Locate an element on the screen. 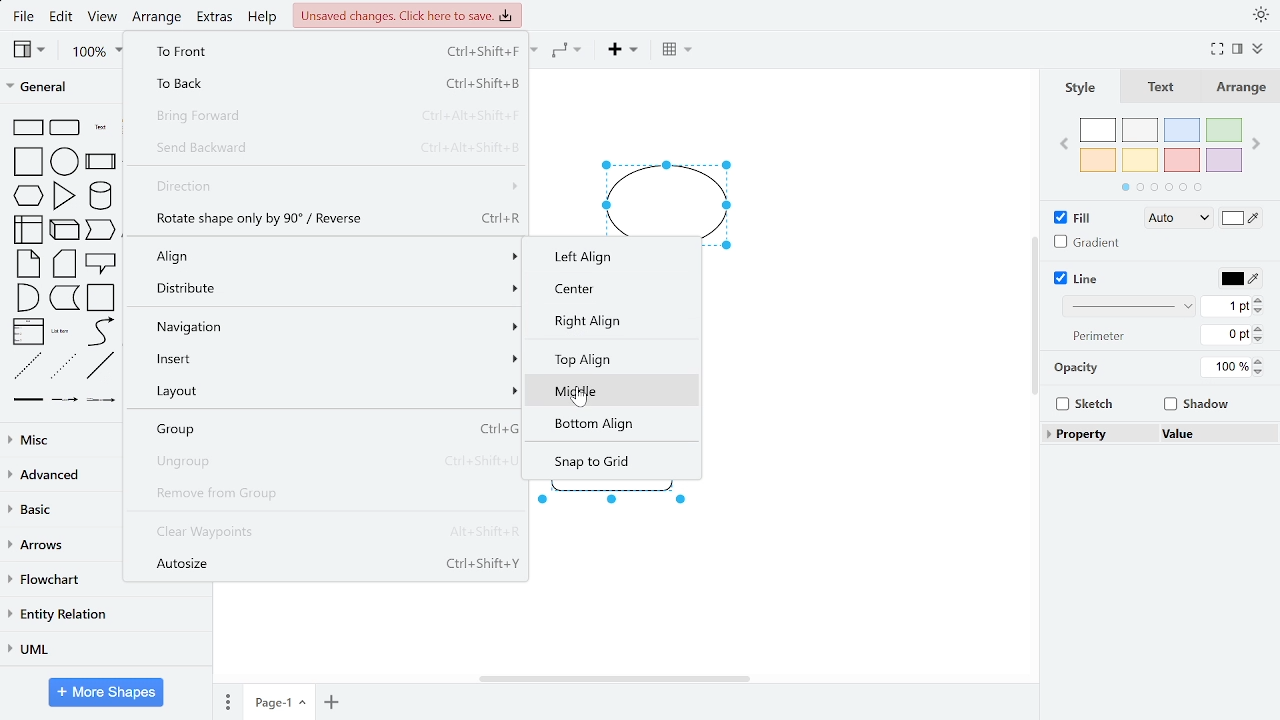  white is located at coordinates (1099, 130).